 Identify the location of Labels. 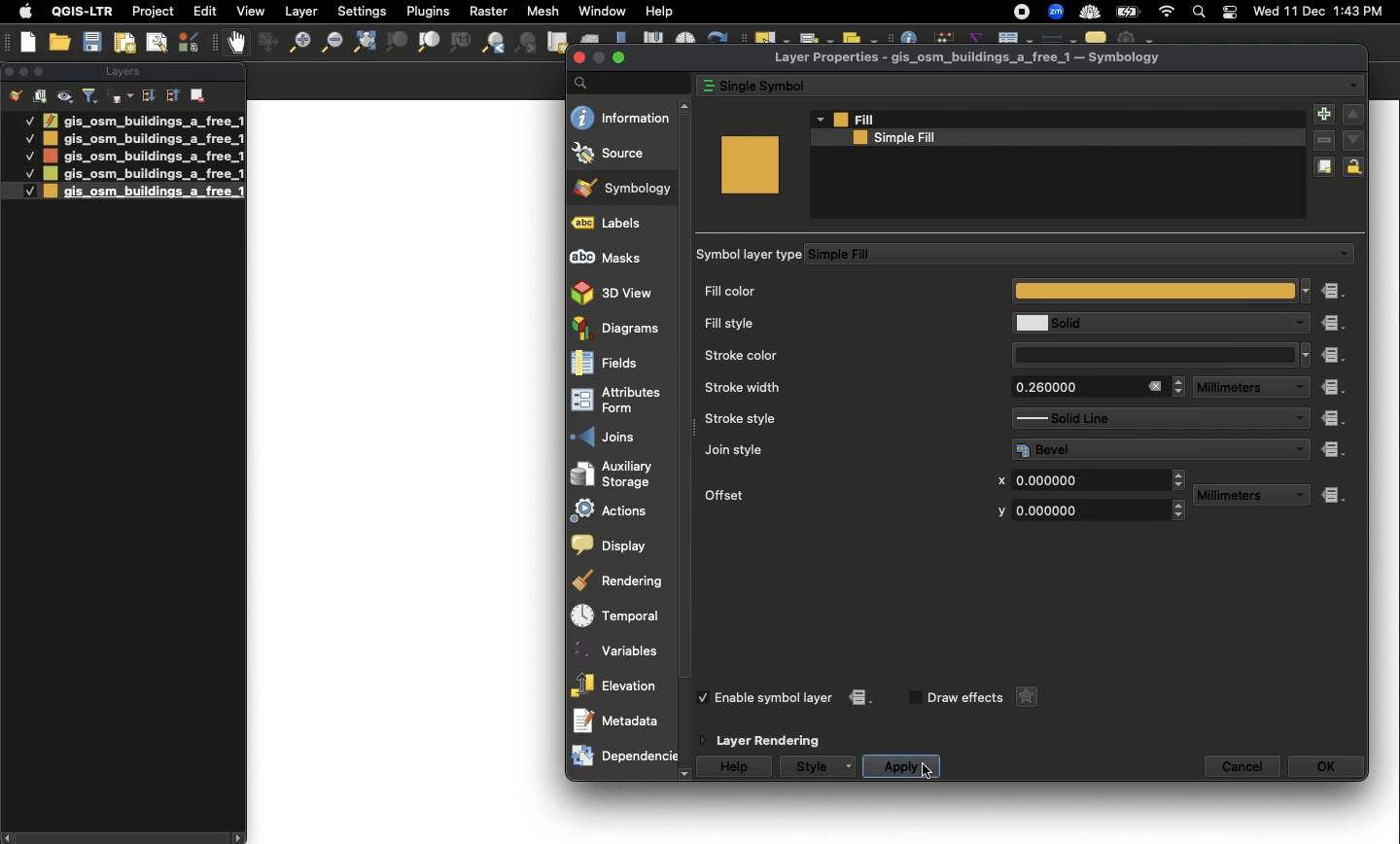
(620, 224).